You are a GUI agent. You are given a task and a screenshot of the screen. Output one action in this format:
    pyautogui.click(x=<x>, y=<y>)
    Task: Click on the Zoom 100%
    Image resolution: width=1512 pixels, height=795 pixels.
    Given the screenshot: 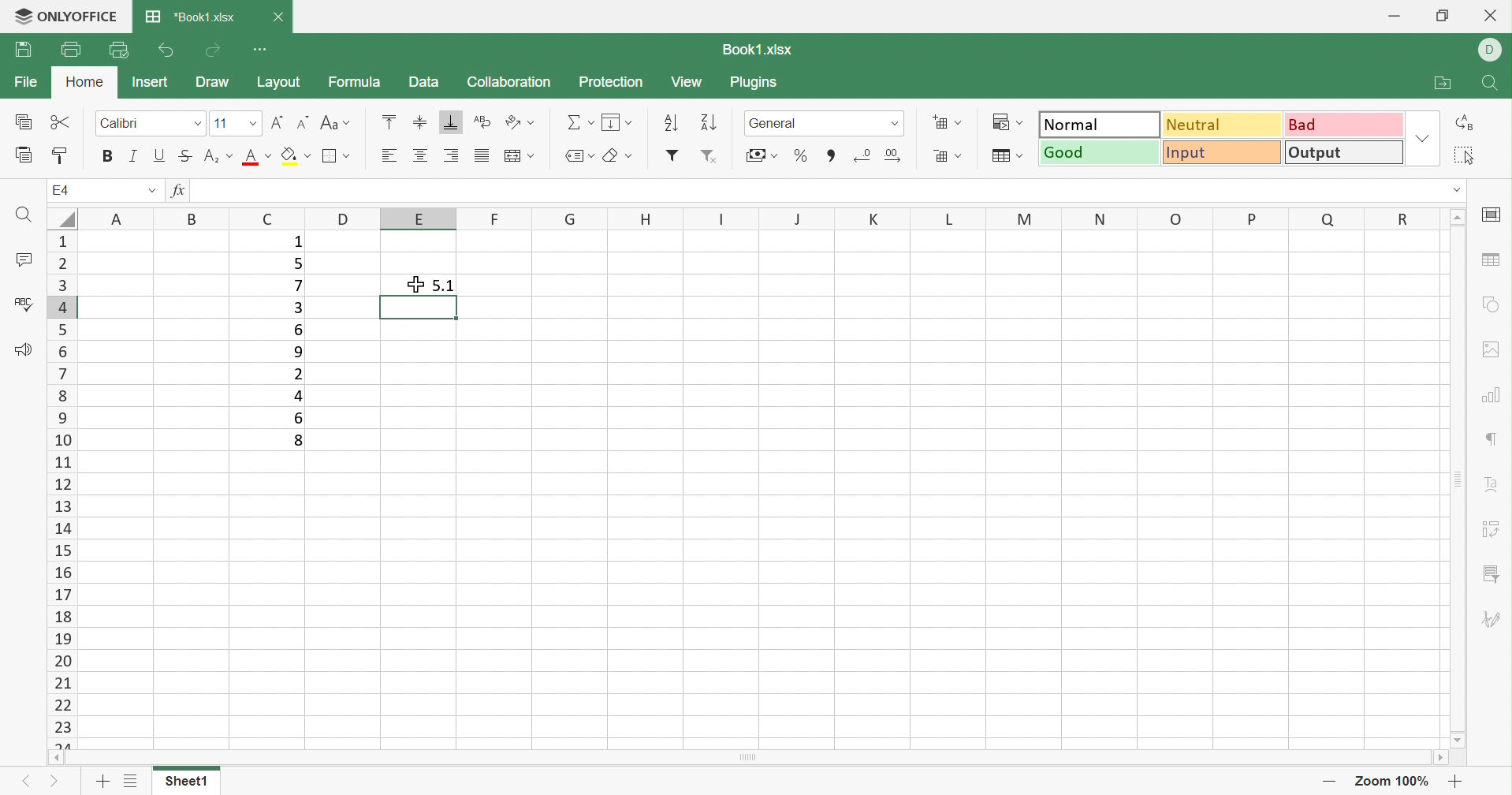 What is the action you would take?
    pyautogui.click(x=1395, y=780)
    